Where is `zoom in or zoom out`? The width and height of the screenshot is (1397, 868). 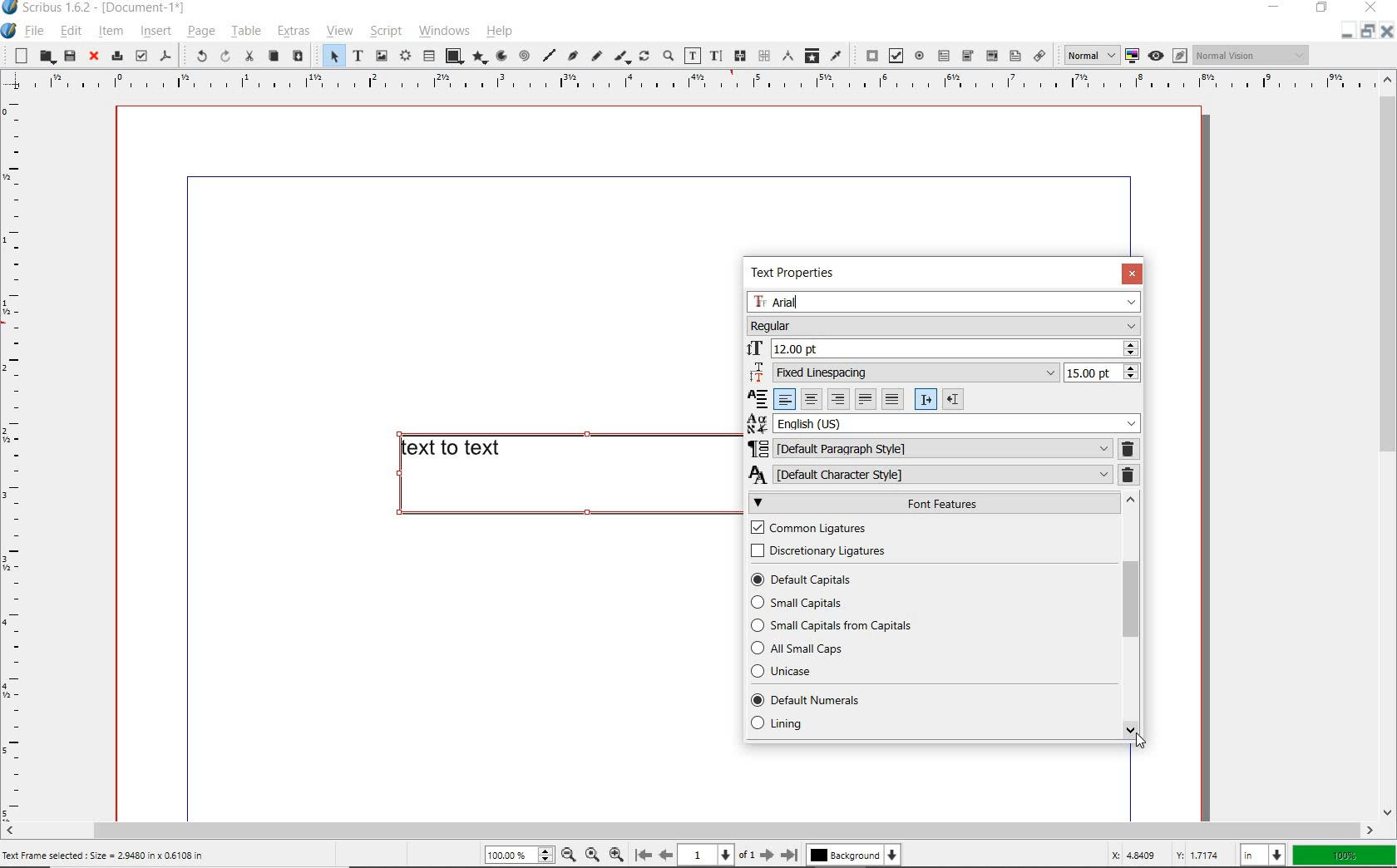 zoom in or zoom out is located at coordinates (668, 57).